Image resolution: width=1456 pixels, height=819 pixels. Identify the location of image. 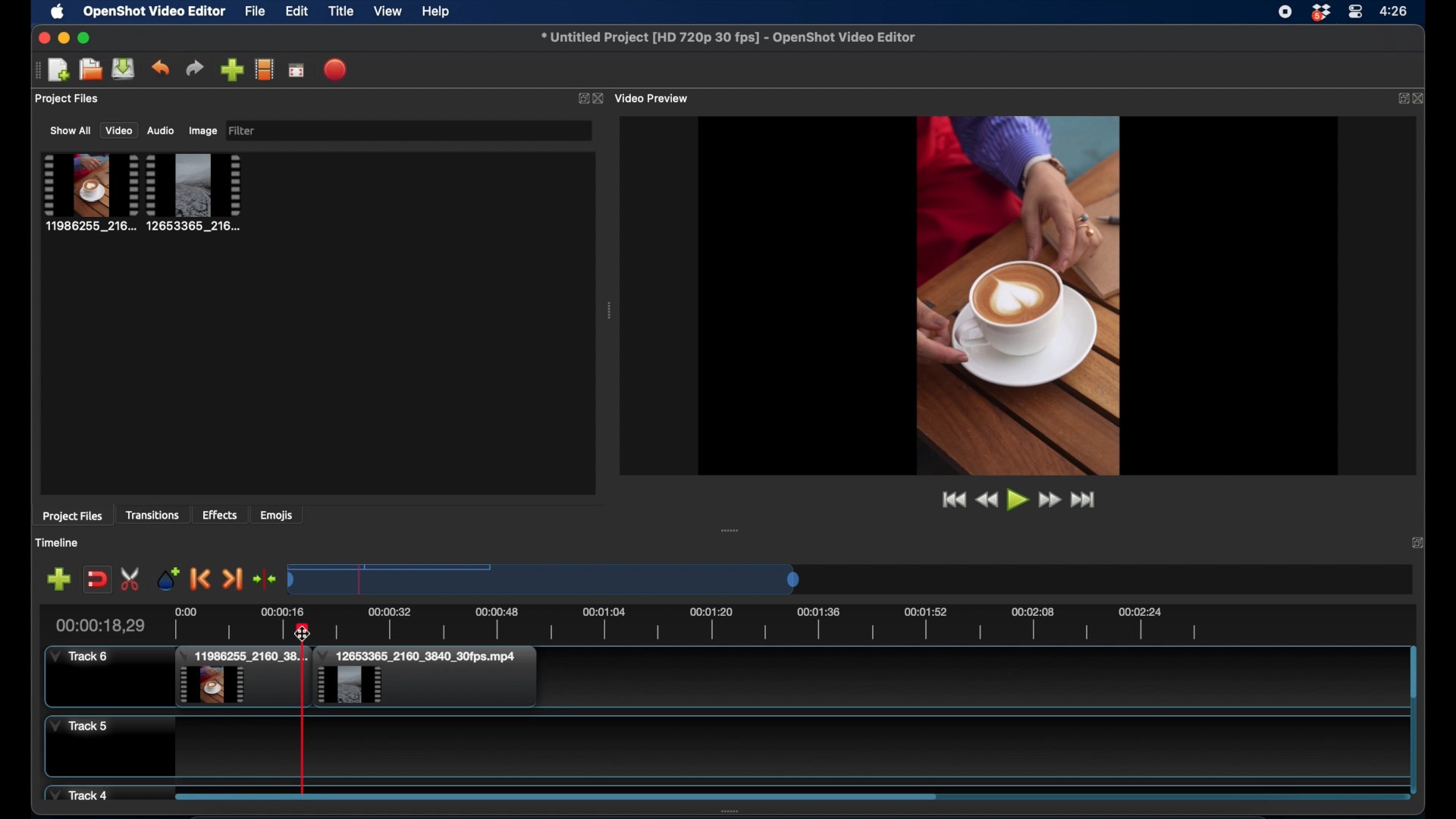
(202, 130).